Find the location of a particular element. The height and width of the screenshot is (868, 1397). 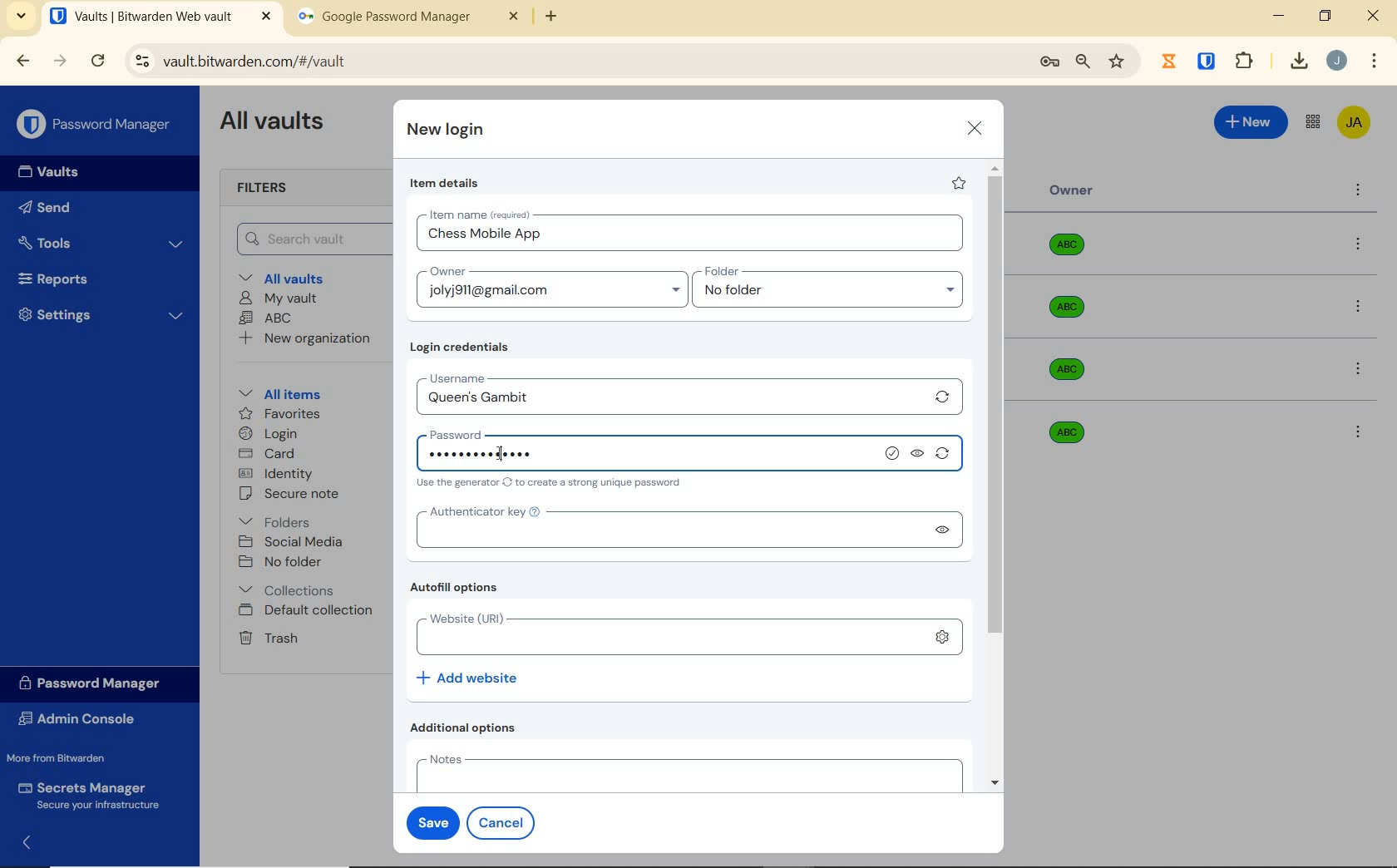

All items is located at coordinates (277, 392).